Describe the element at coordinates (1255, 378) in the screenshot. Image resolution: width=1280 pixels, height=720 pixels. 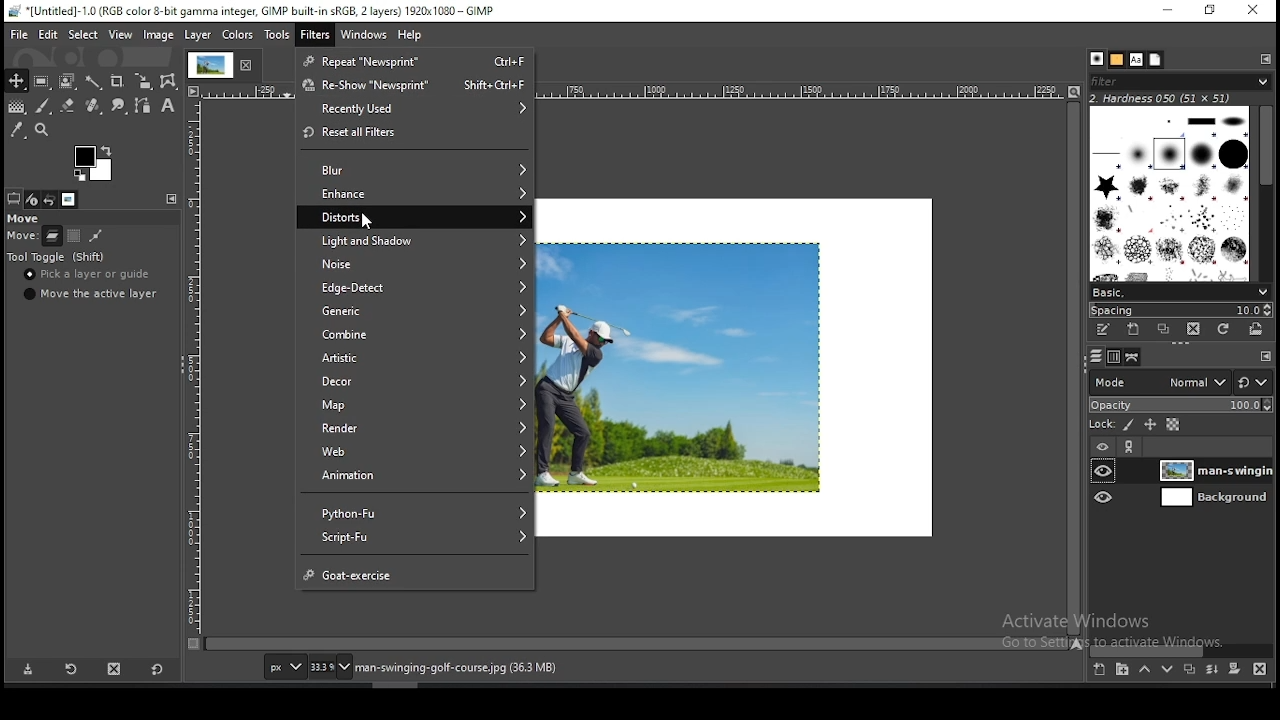
I see `reset` at that location.